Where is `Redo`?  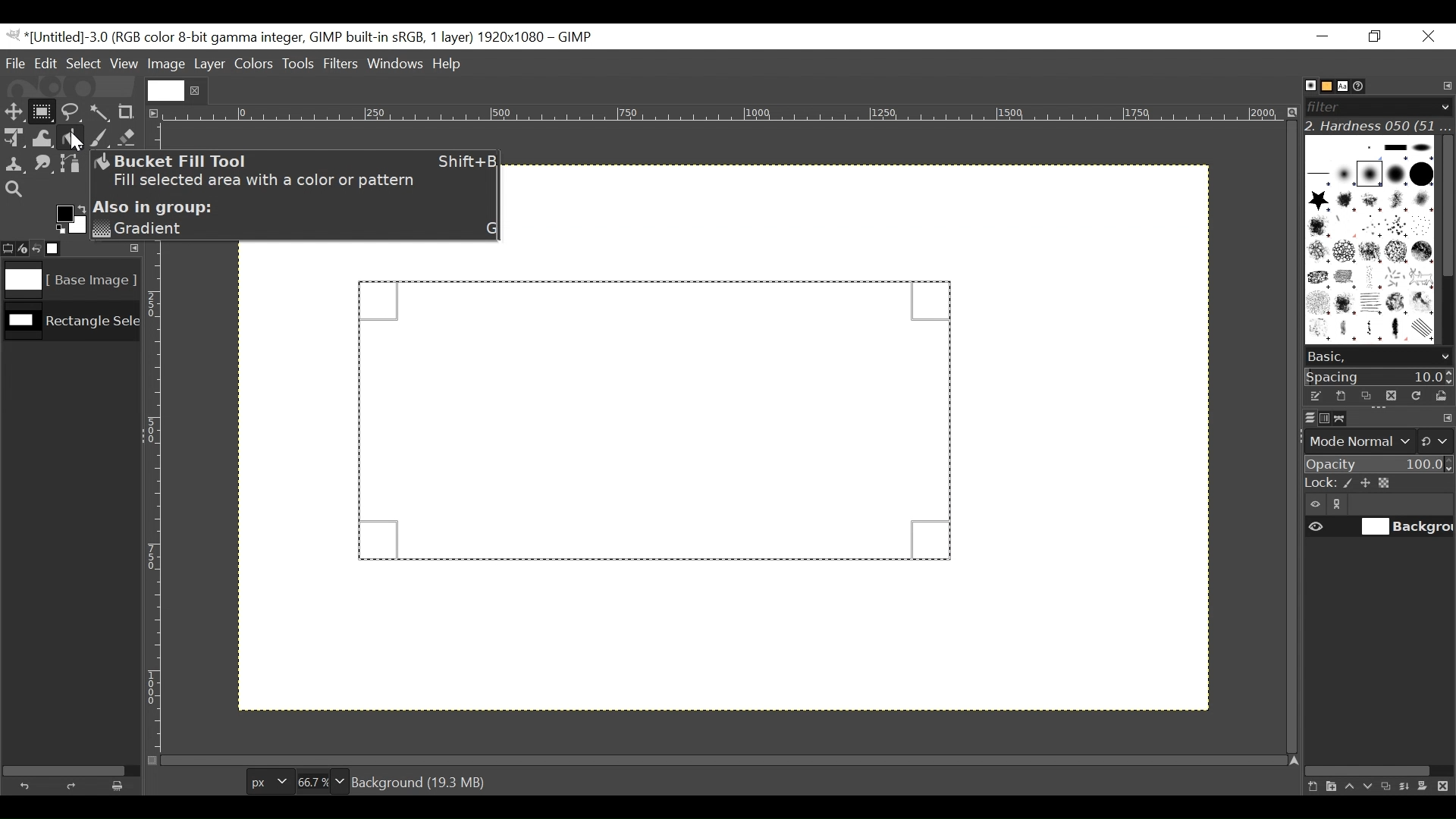
Redo is located at coordinates (74, 786).